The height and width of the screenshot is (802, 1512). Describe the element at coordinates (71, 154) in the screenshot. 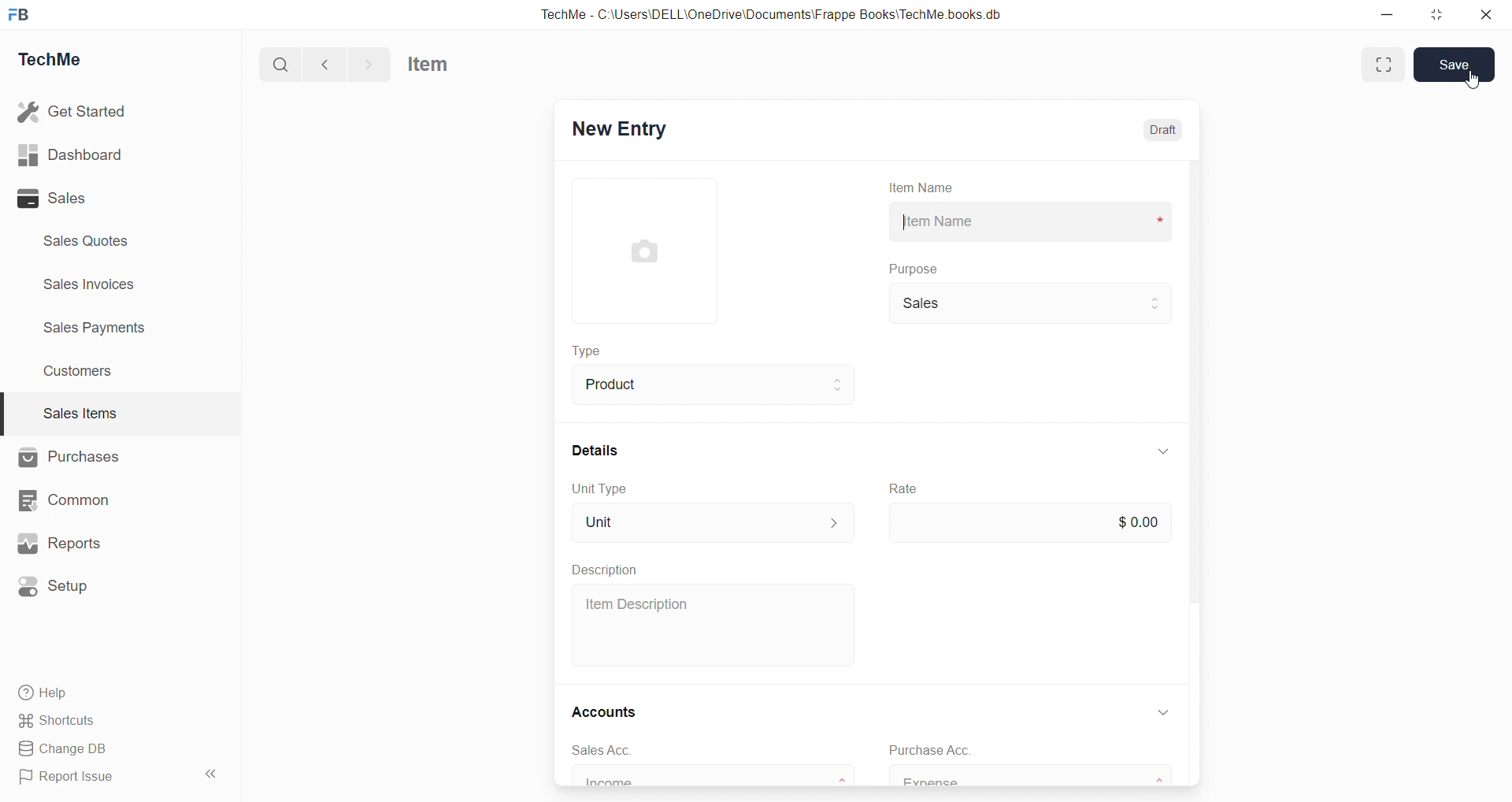

I see `Dashboard` at that location.